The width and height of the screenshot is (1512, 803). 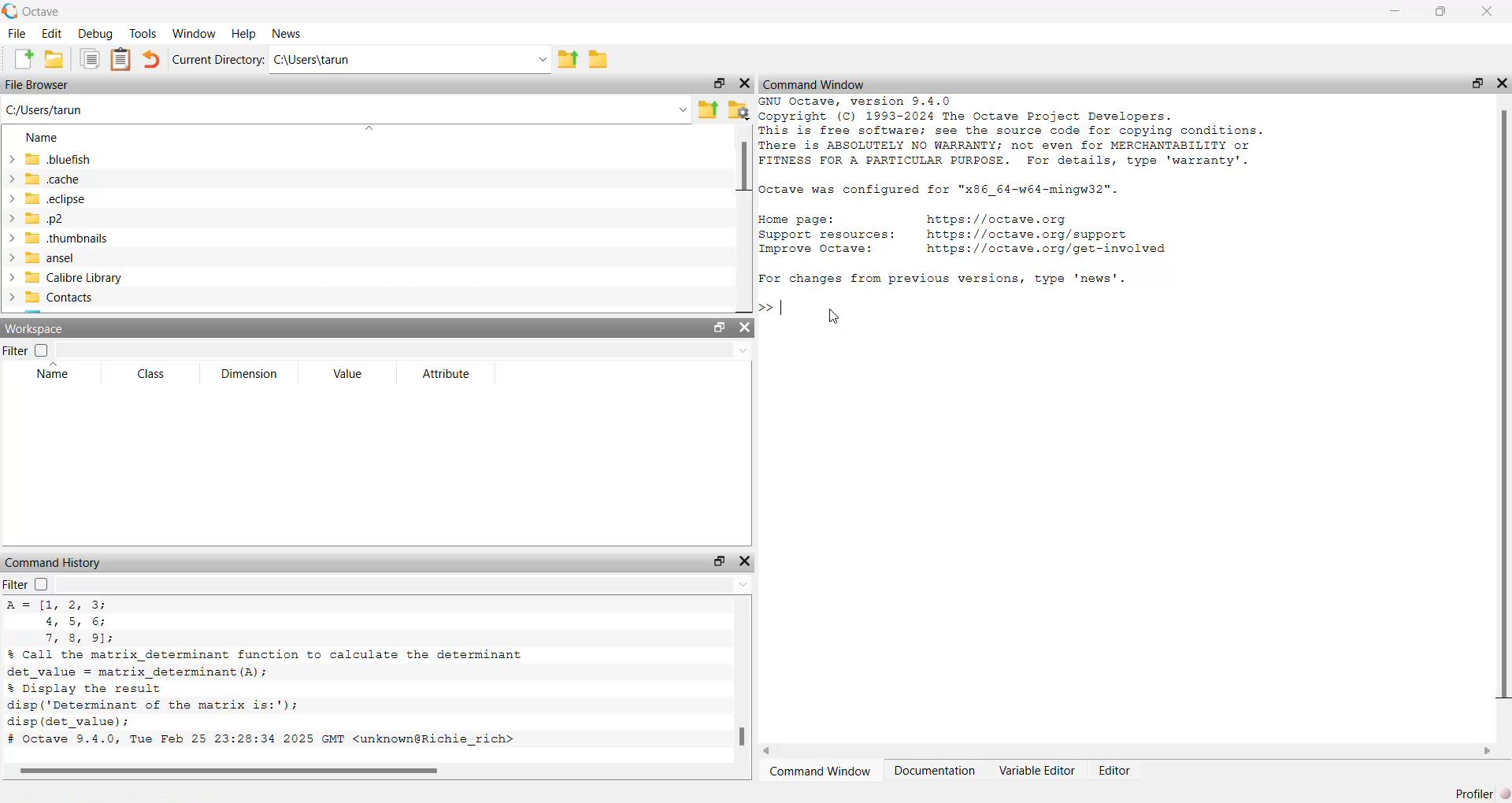 What do you see at coordinates (50, 200) in the screenshot?
I see `eclipse` at bounding box center [50, 200].